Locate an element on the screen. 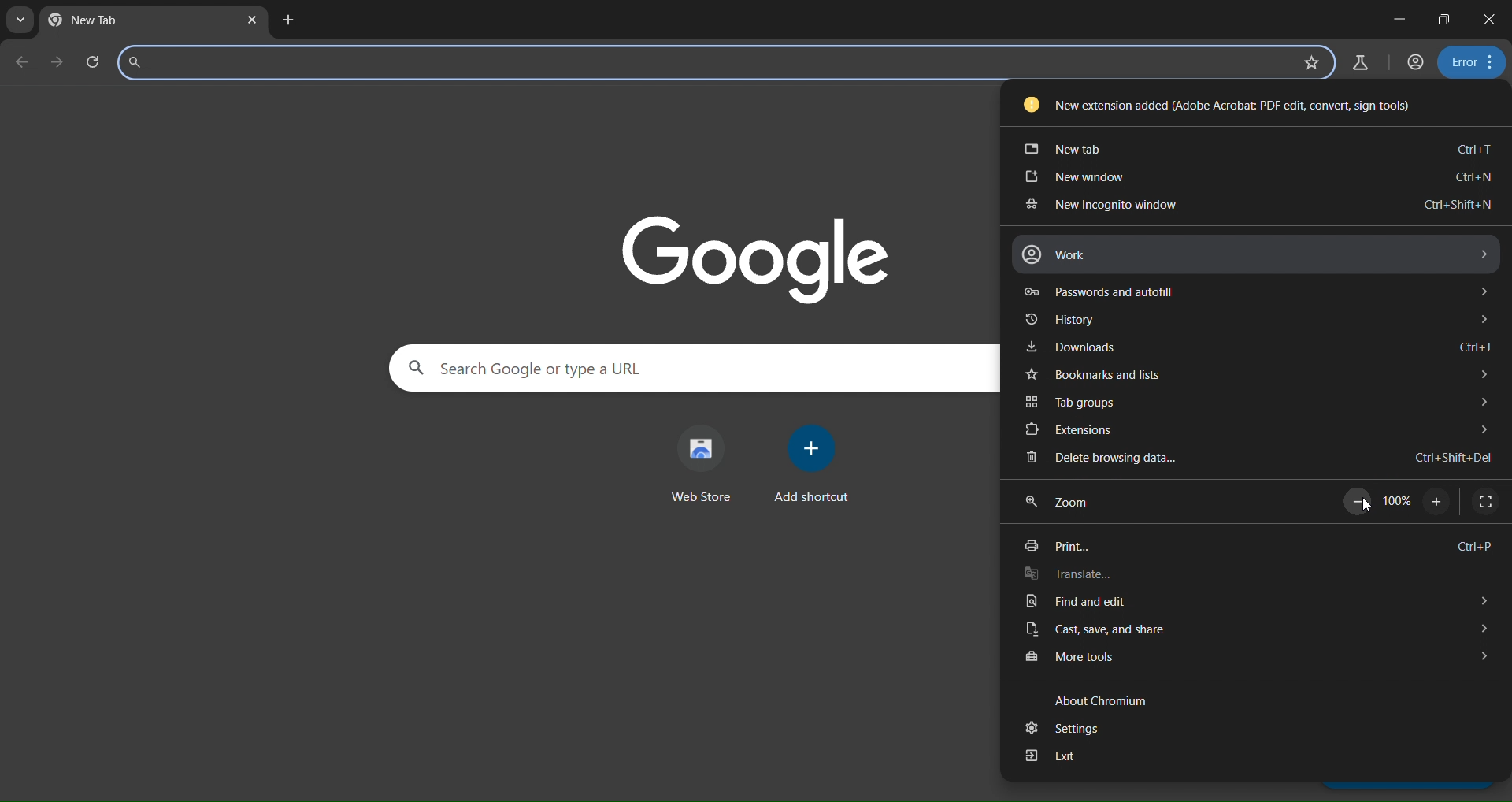 Image resolution: width=1512 pixels, height=802 pixels. work is located at coordinates (1259, 254).